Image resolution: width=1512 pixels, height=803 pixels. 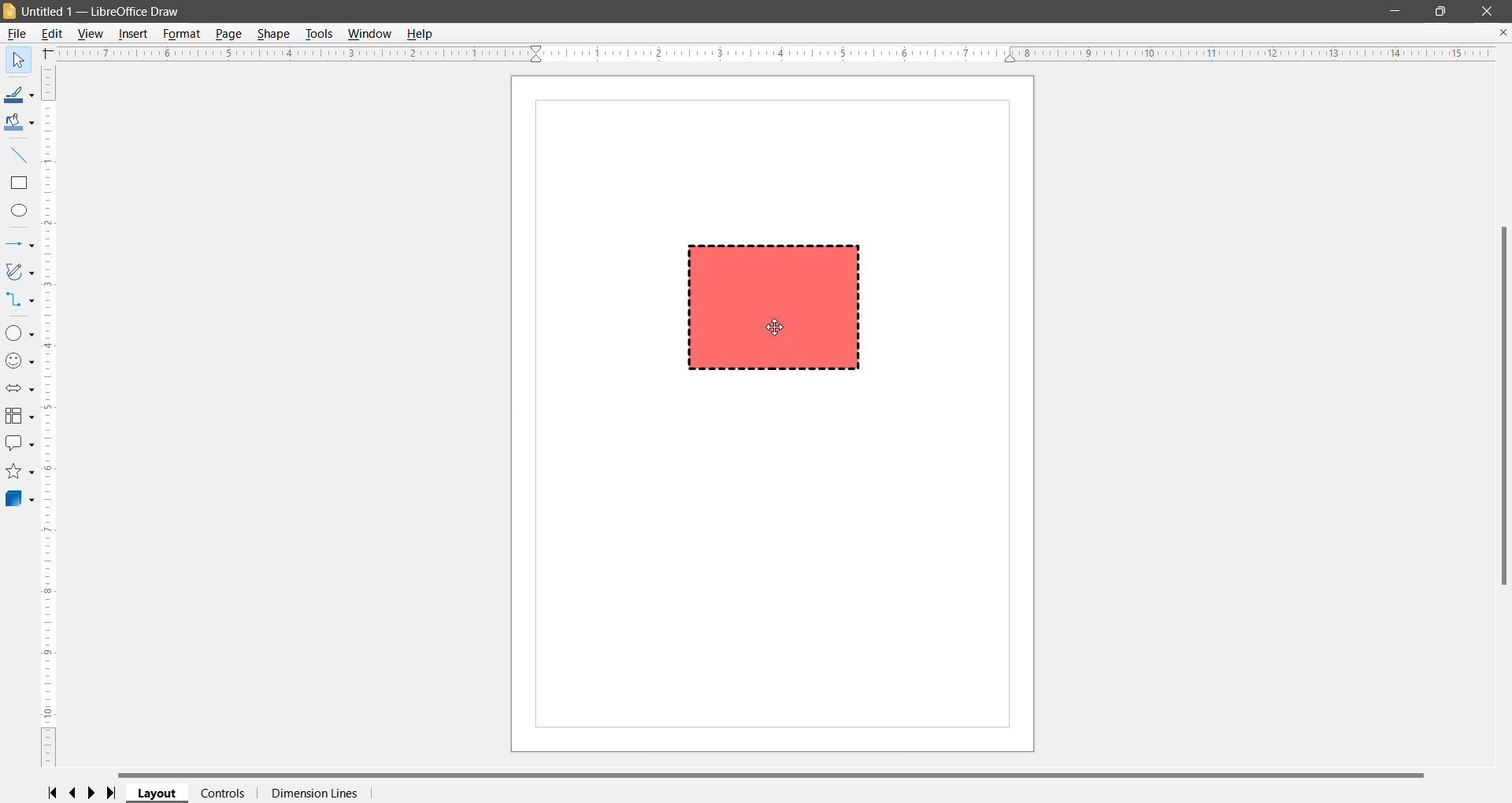 I want to click on Controls, so click(x=224, y=794).